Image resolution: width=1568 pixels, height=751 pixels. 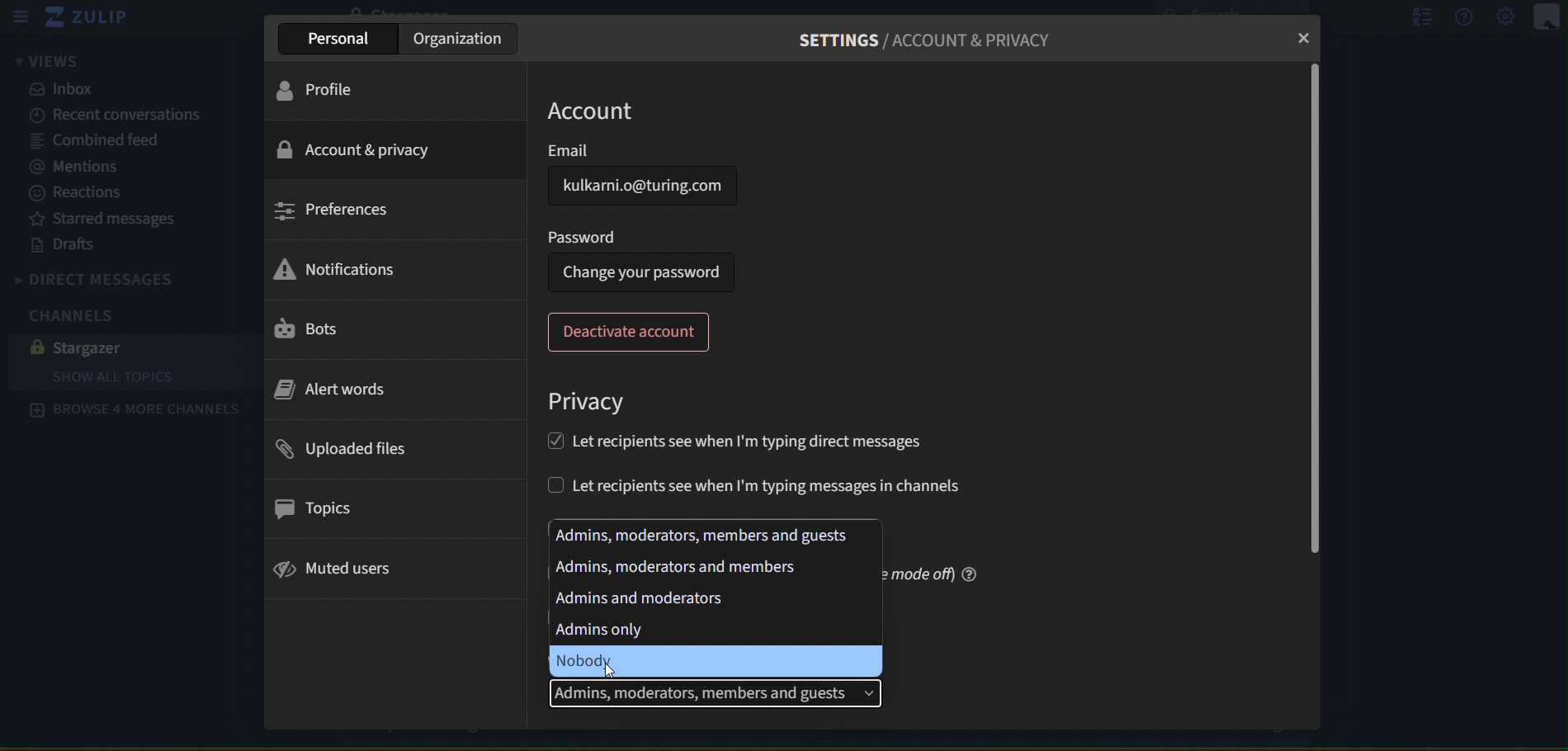 I want to click on alert words, so click(x=333, y=391).